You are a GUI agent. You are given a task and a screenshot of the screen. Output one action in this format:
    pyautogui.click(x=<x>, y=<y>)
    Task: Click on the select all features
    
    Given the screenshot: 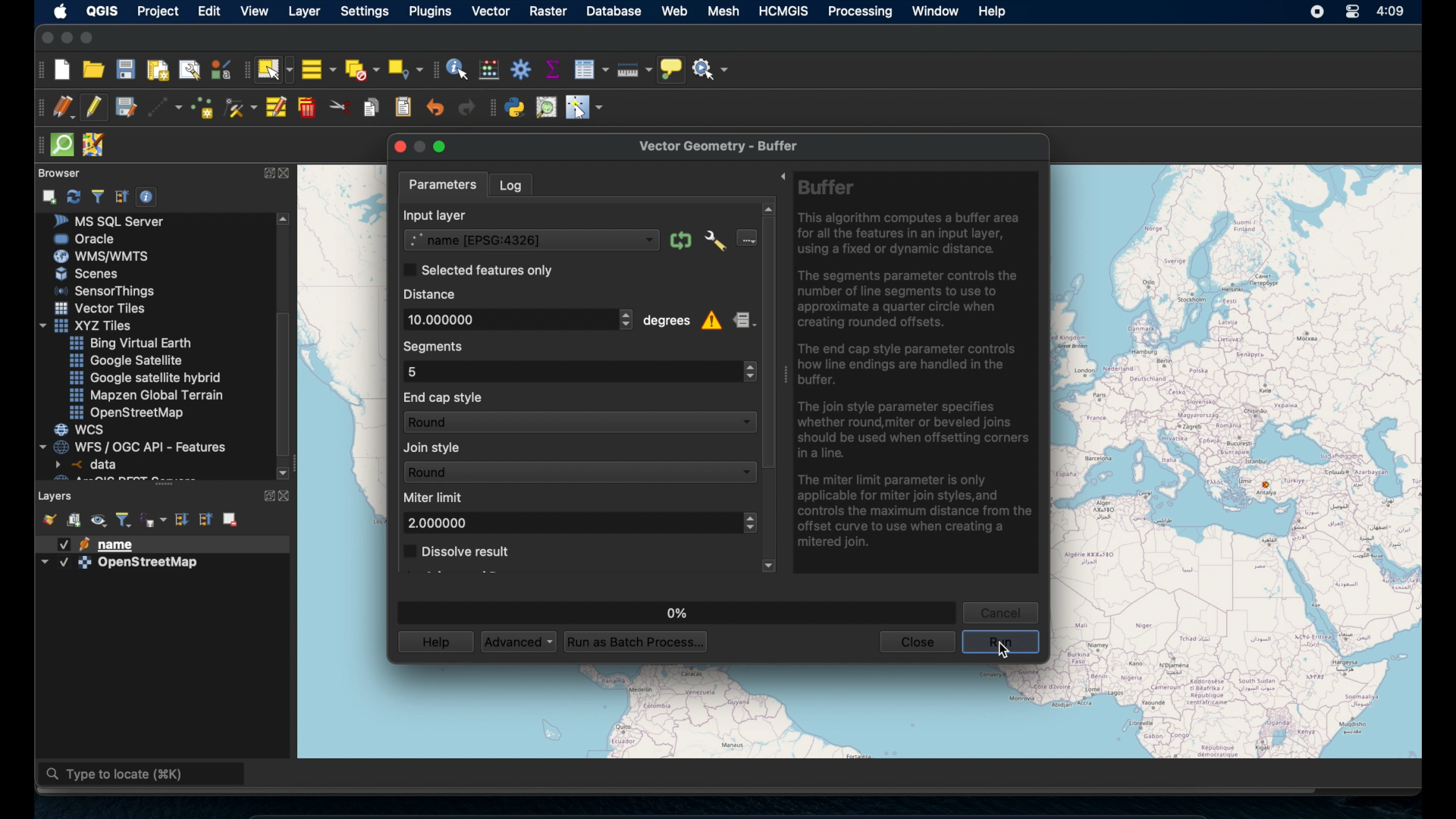 What is the action you would take?
    pyautogui.click(x=318, y=69)
    